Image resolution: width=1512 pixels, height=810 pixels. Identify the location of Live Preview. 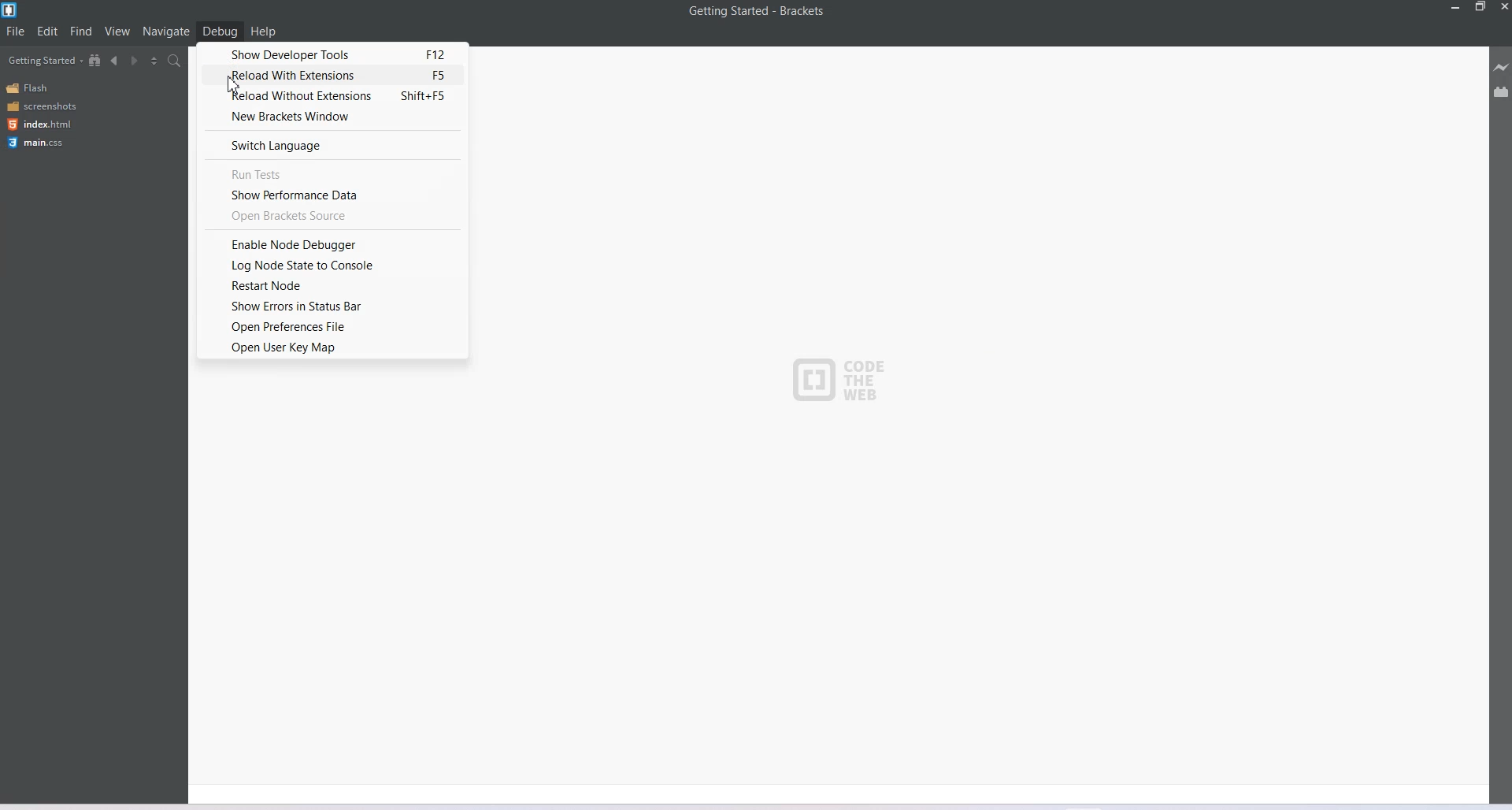
(1501, 67).